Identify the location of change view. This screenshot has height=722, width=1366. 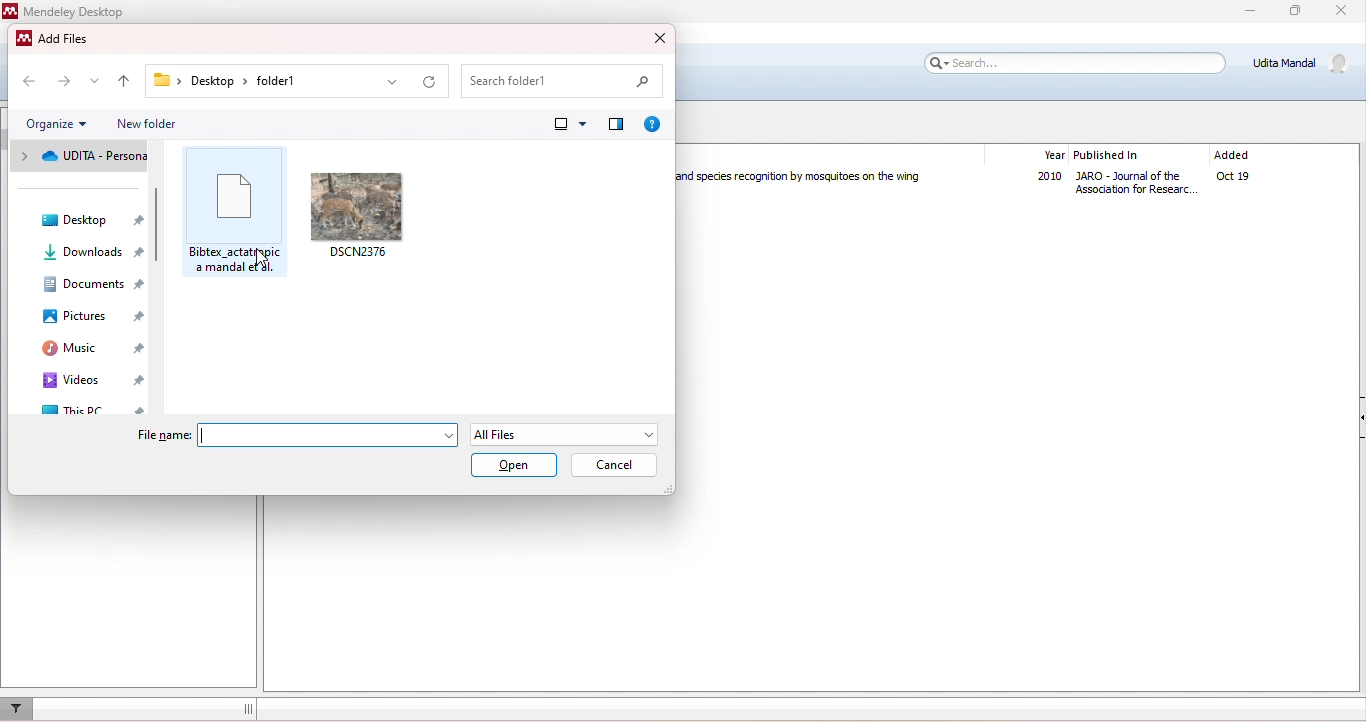
(570, 124).